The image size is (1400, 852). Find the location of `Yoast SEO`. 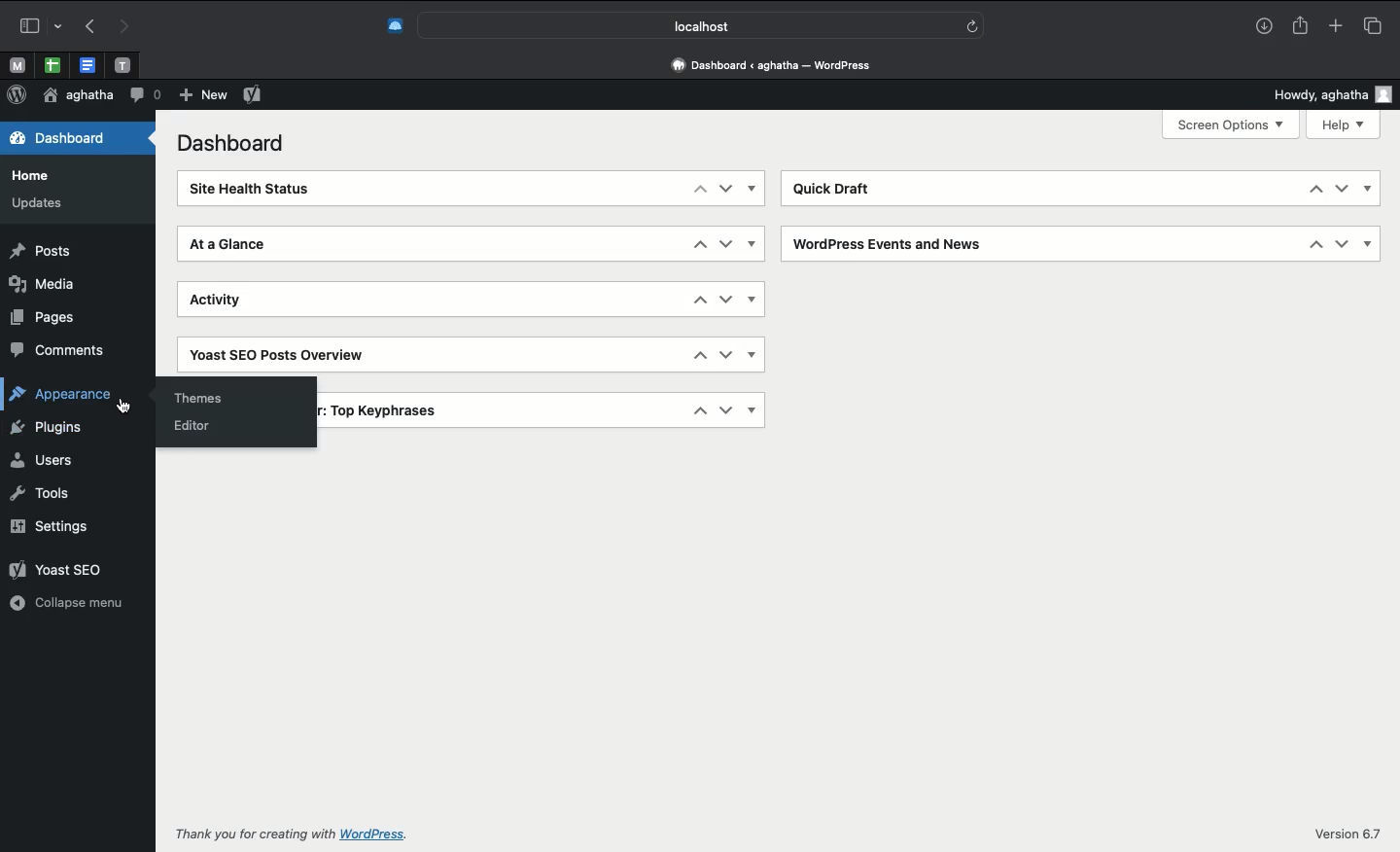

Yoast SEO is located at coordinates (252, 93).